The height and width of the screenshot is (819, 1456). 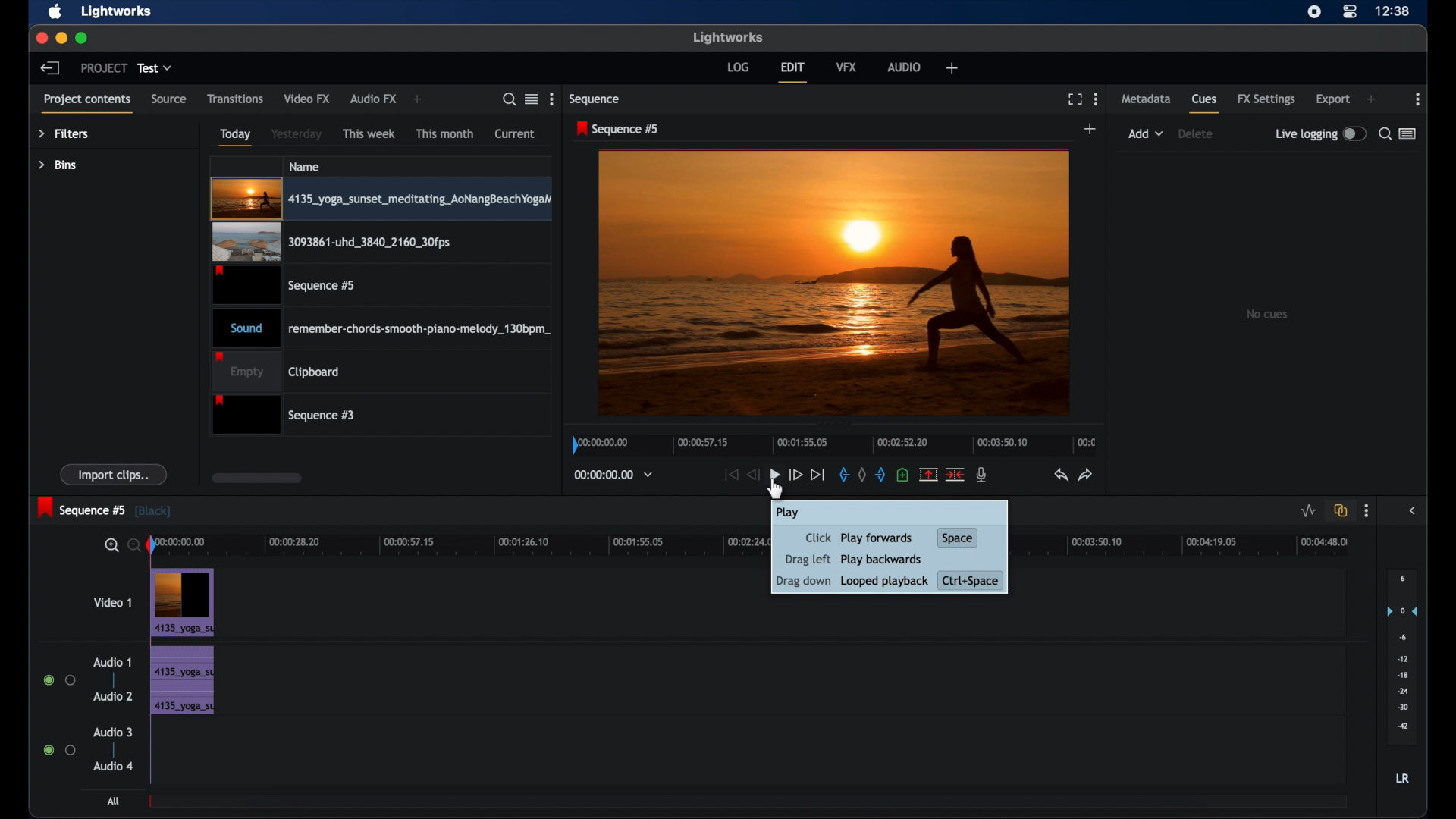 What do you see at coordinates (1341, 510) in the screenshot?
I see `toggle auto track synd` at bounding box center [1341, 510].